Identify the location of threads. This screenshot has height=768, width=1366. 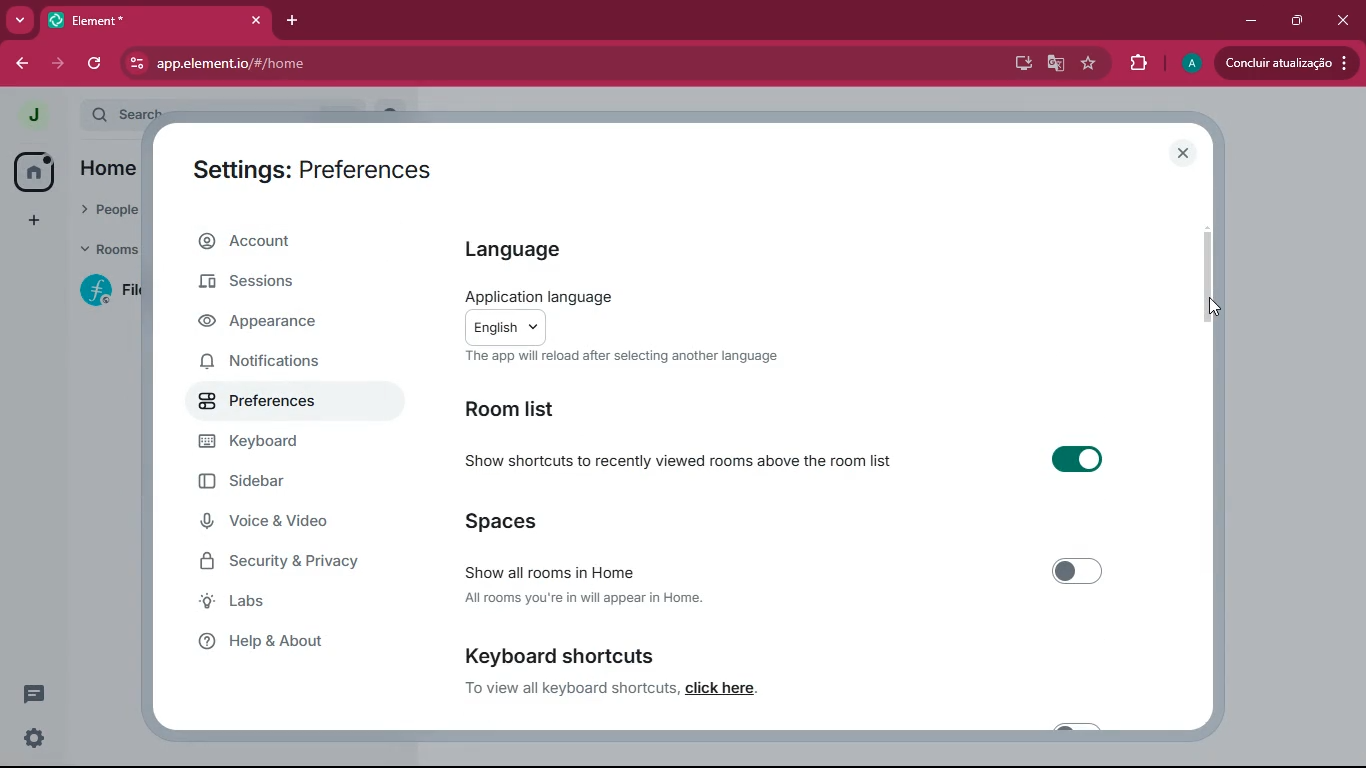
(34, 694).